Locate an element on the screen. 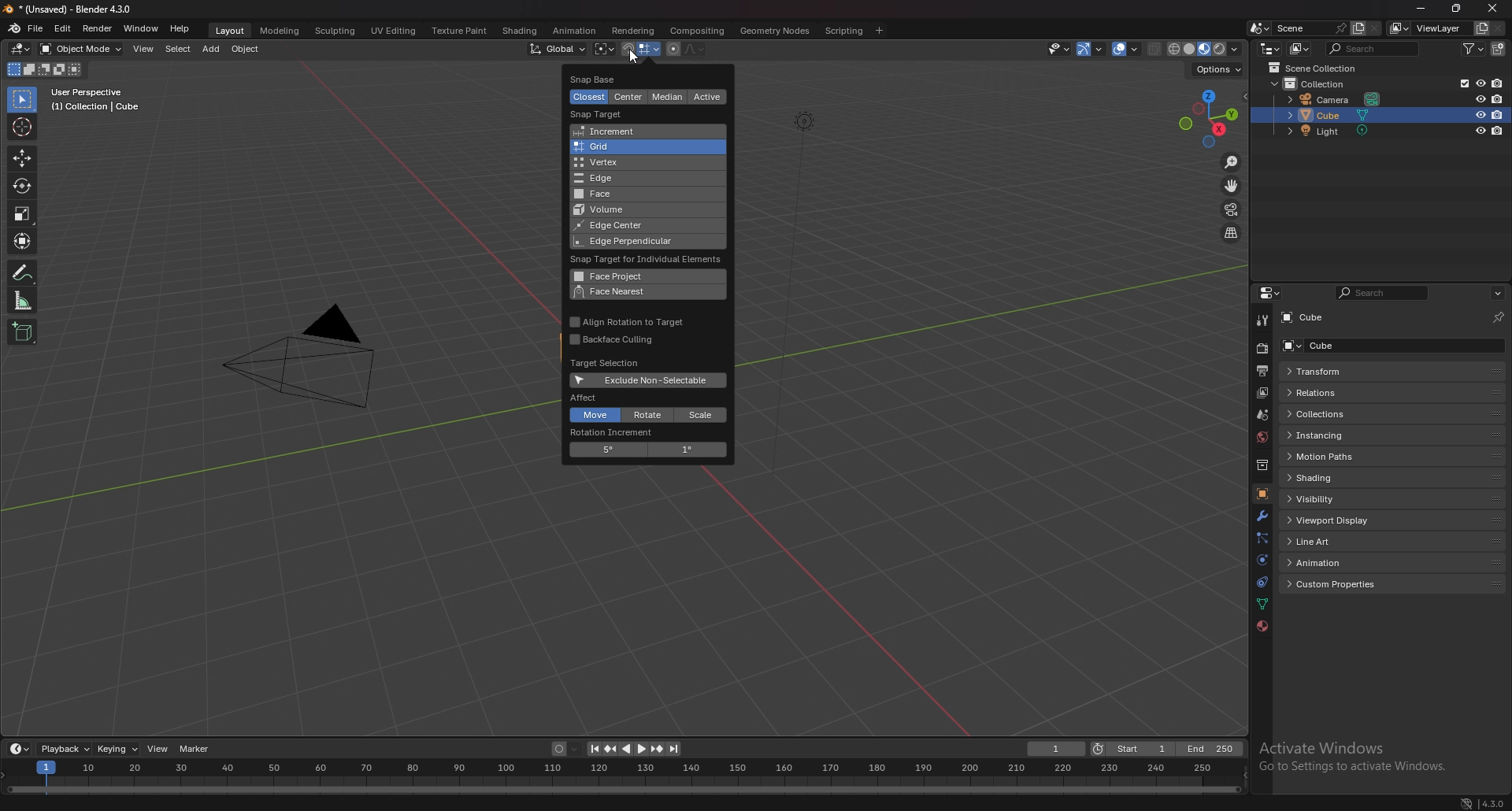  add workspace is located at coordinates (878, 31).